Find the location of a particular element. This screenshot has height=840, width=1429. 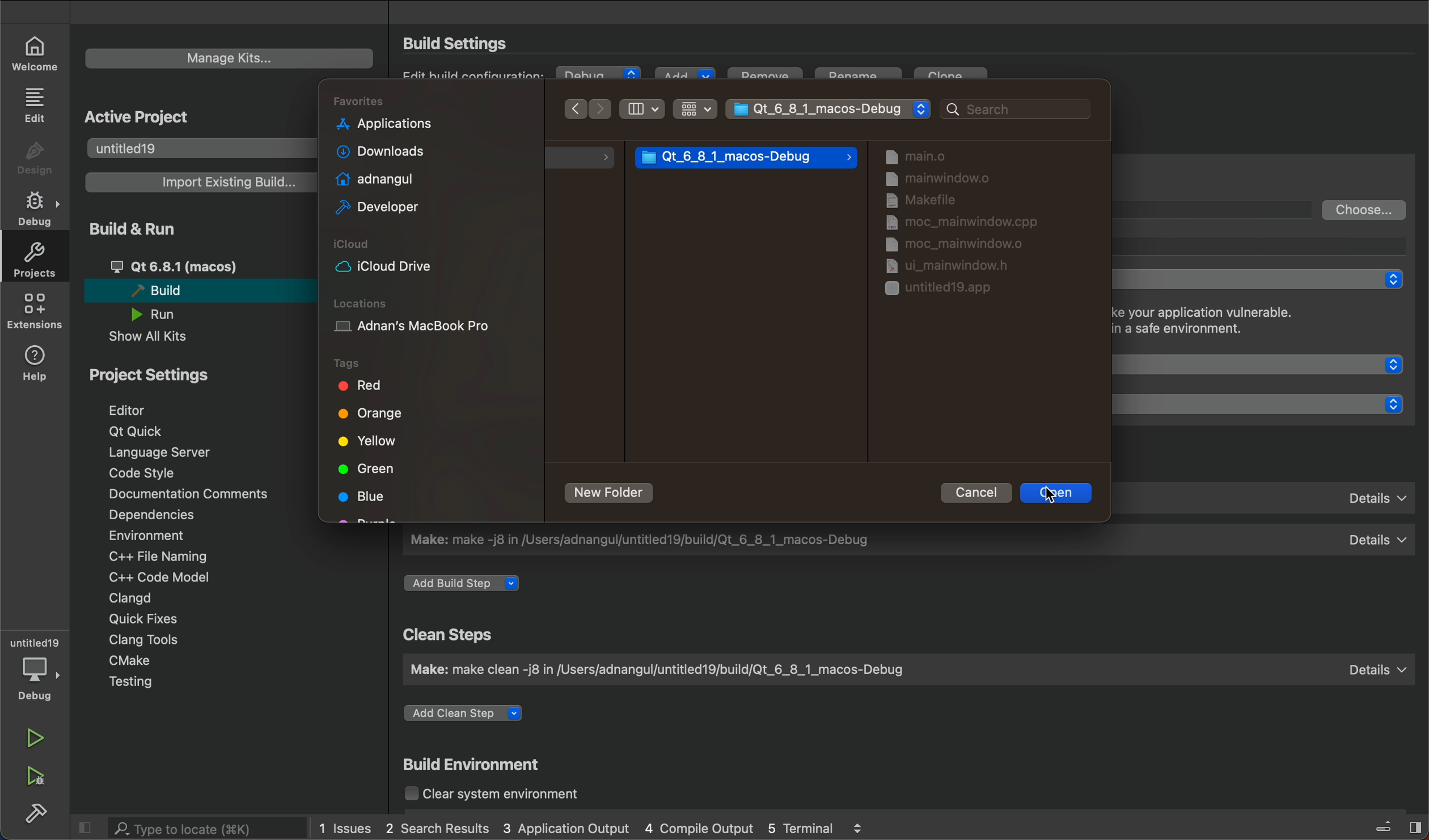

remove is located at coordinates (764, 79).